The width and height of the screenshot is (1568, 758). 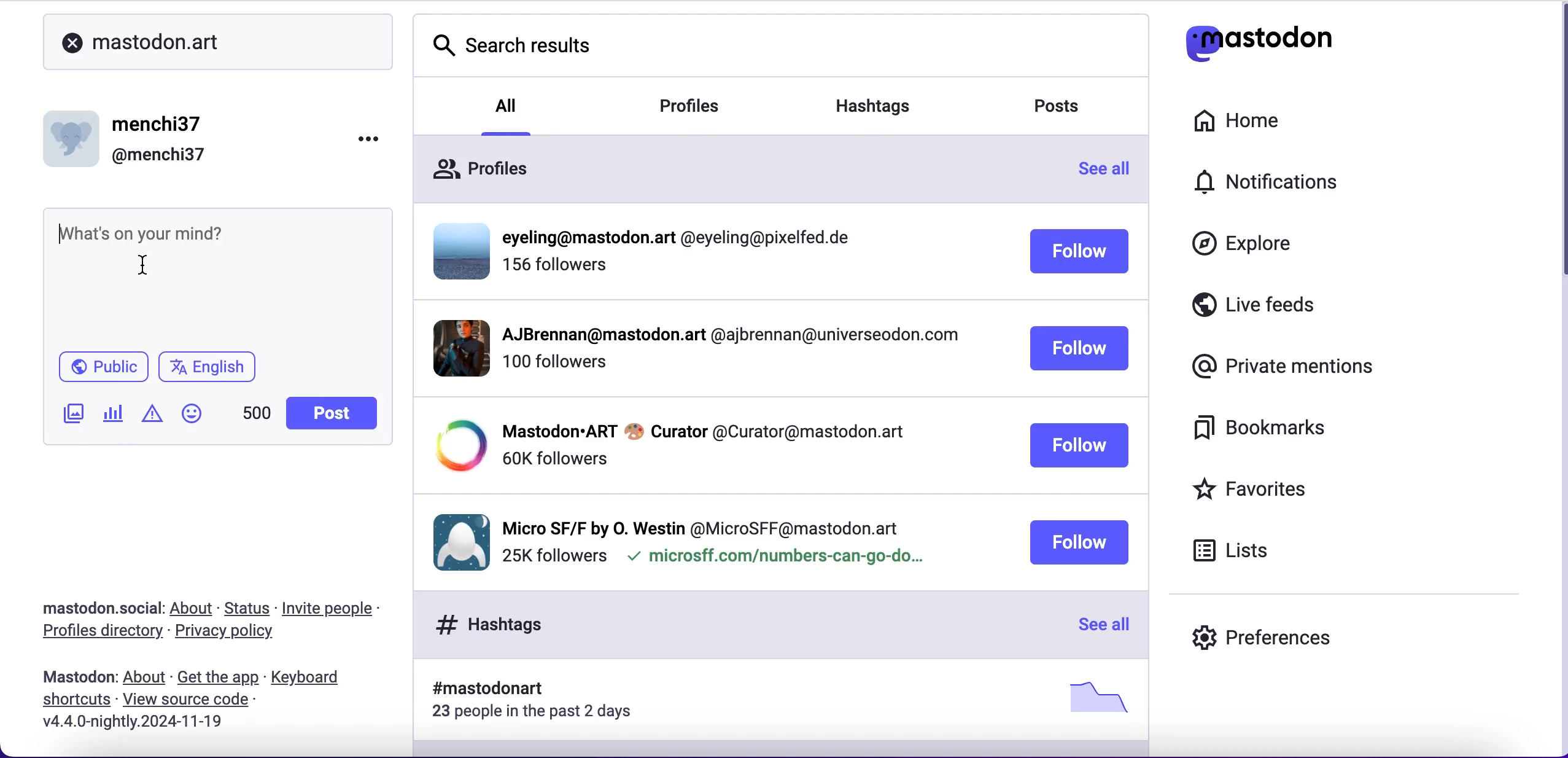 What do you see at coordinates (144, 678) in the screenshot?
I see `about` at bounding box center [144, 678].